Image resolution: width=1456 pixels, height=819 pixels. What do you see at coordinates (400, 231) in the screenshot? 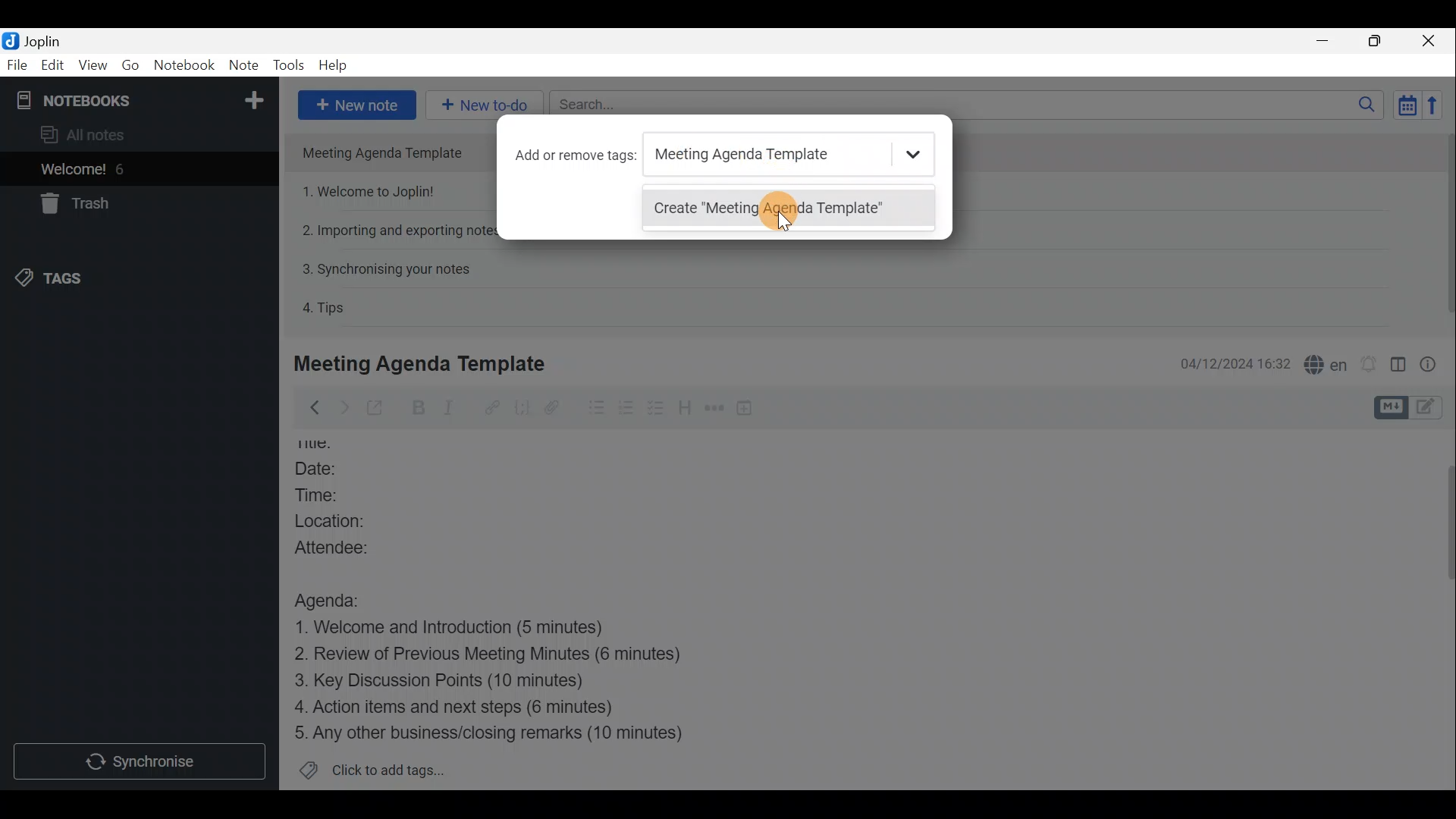
I see `2. Importing and exporting notes` at bounding box center [400, 231].